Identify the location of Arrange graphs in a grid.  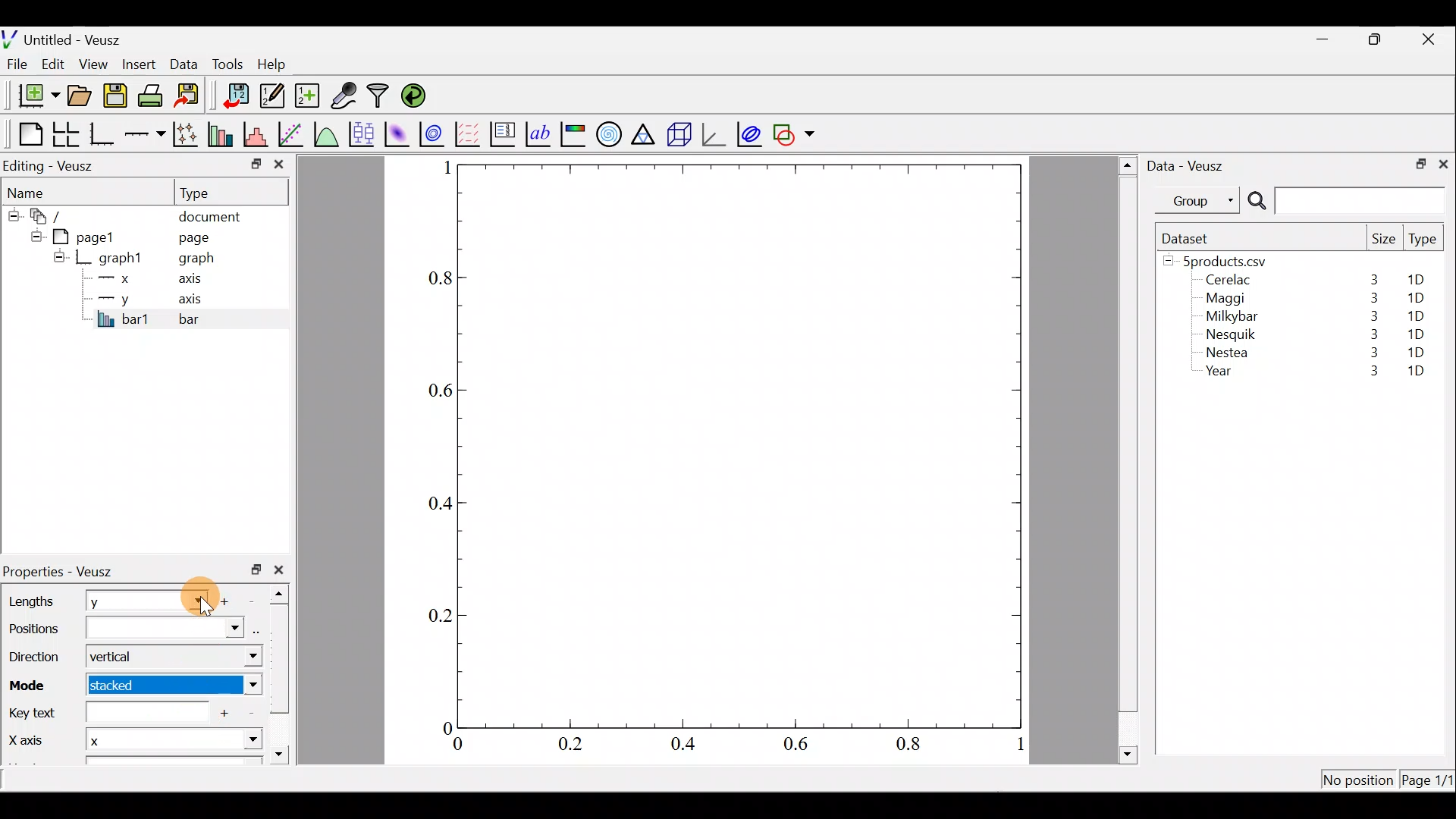
(65, 134).